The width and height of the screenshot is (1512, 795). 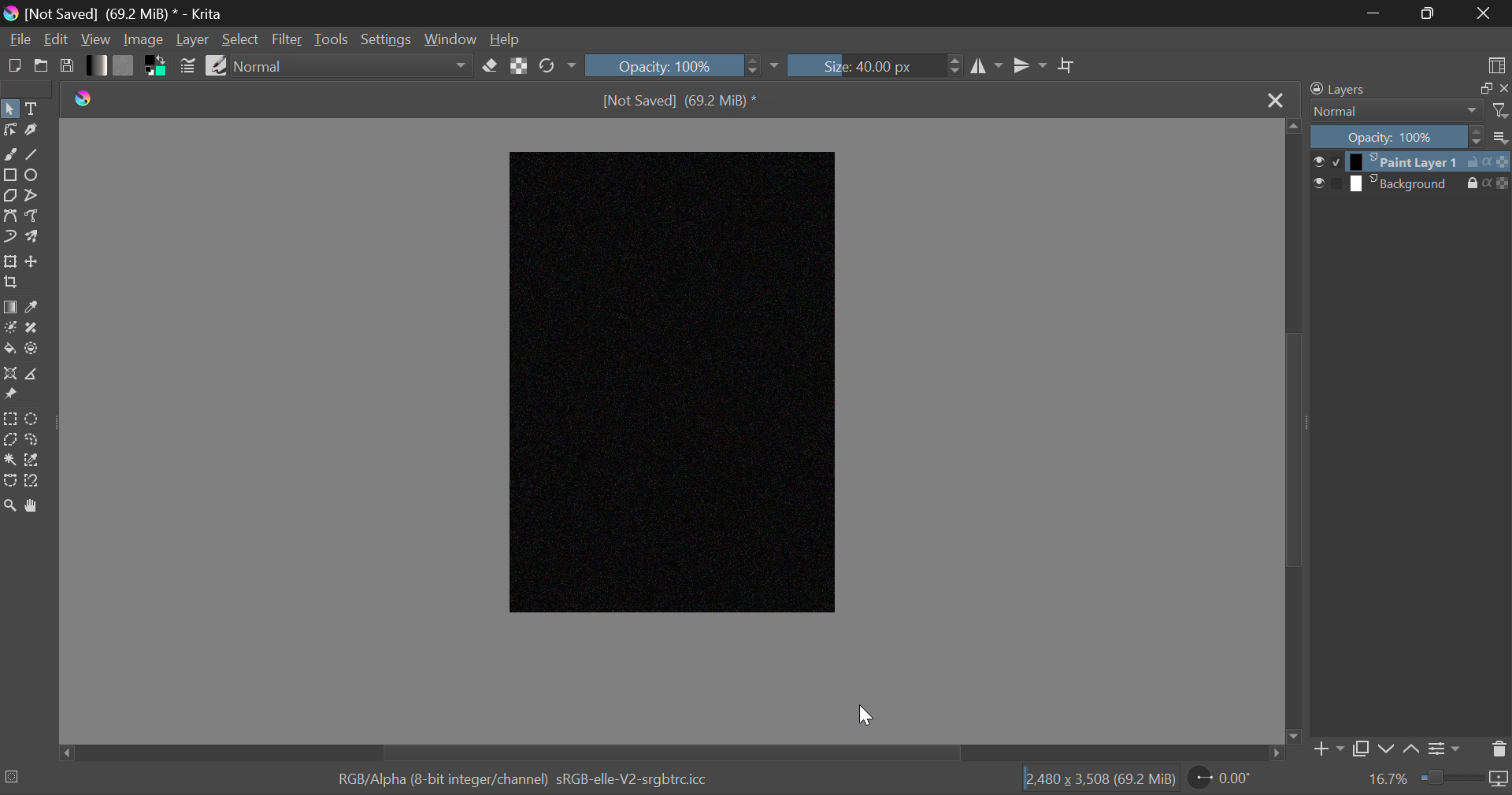 I want to click on Similar Color Selector, so click(x=34, y=462).